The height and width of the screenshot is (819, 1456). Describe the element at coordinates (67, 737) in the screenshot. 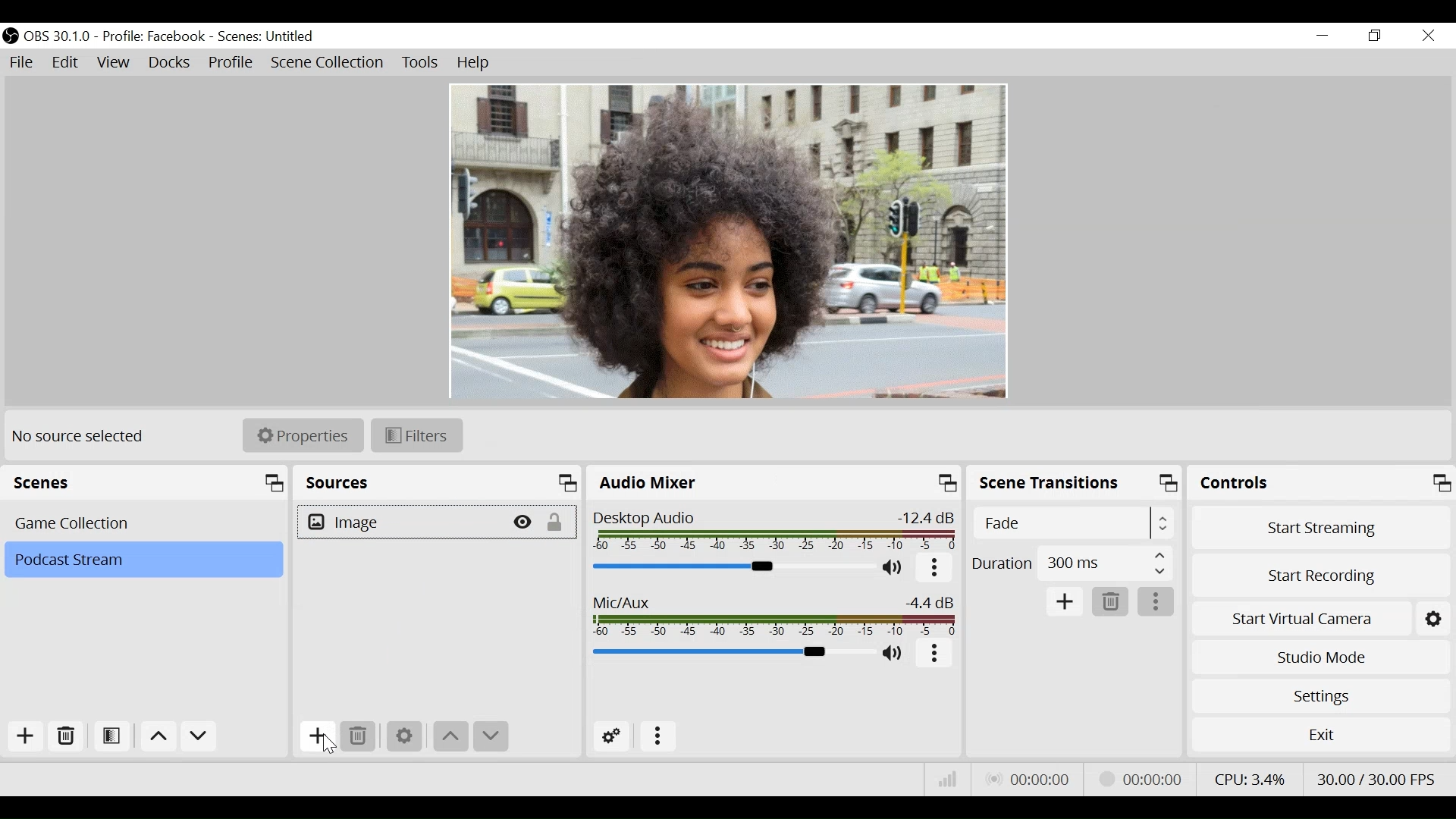

I see `Remove` at that location.